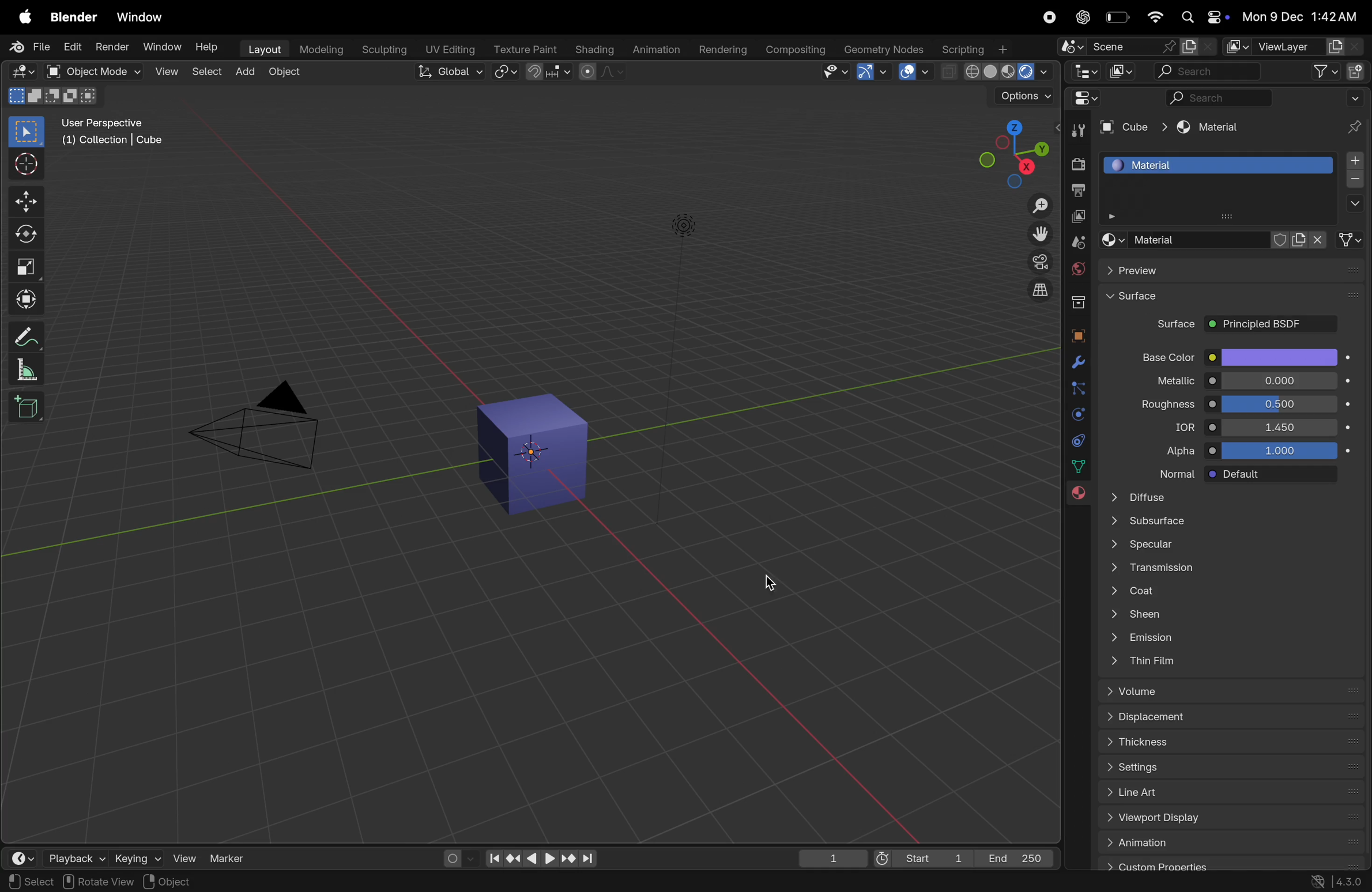  What do you see at coordinates (1208, 71) in the screenshot?
I see `search` at bounding box center [1208, 71].